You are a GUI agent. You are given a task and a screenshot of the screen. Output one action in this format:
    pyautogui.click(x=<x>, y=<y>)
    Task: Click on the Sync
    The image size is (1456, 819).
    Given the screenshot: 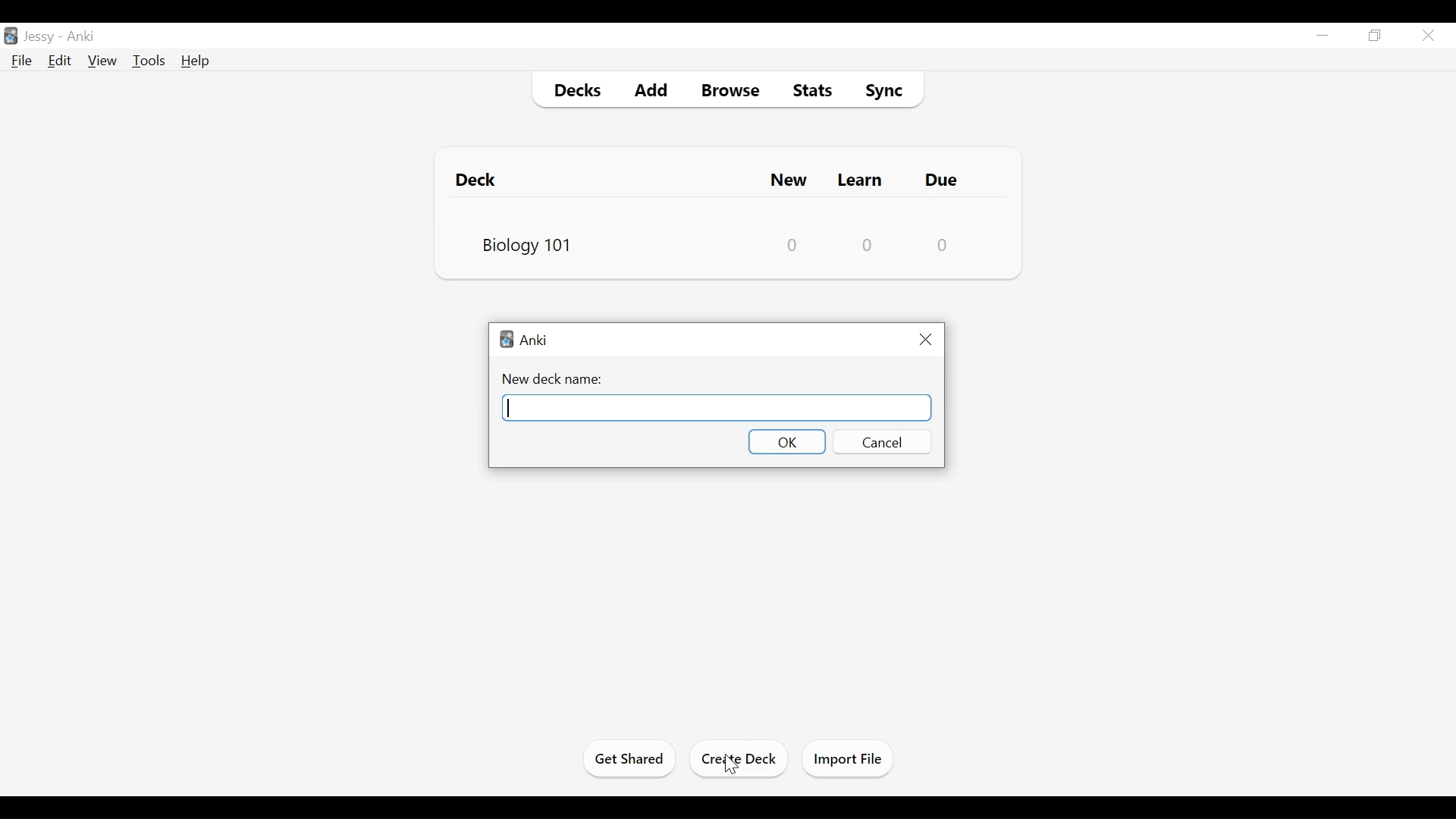 What is the action you would take?
    pyautogui.click(x=886, y=88)
    